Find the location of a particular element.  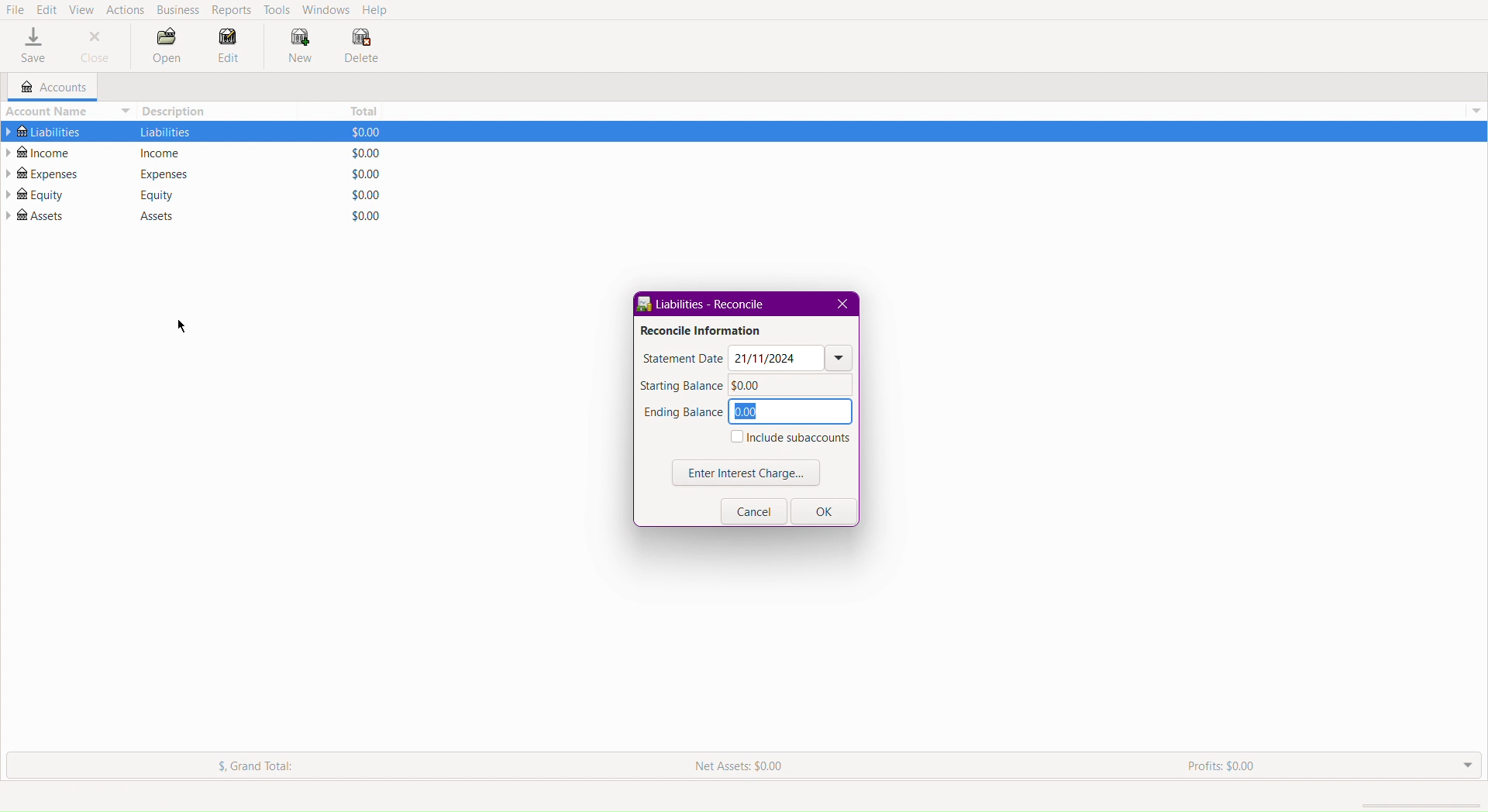

Open is located at coordinates (166, 47).